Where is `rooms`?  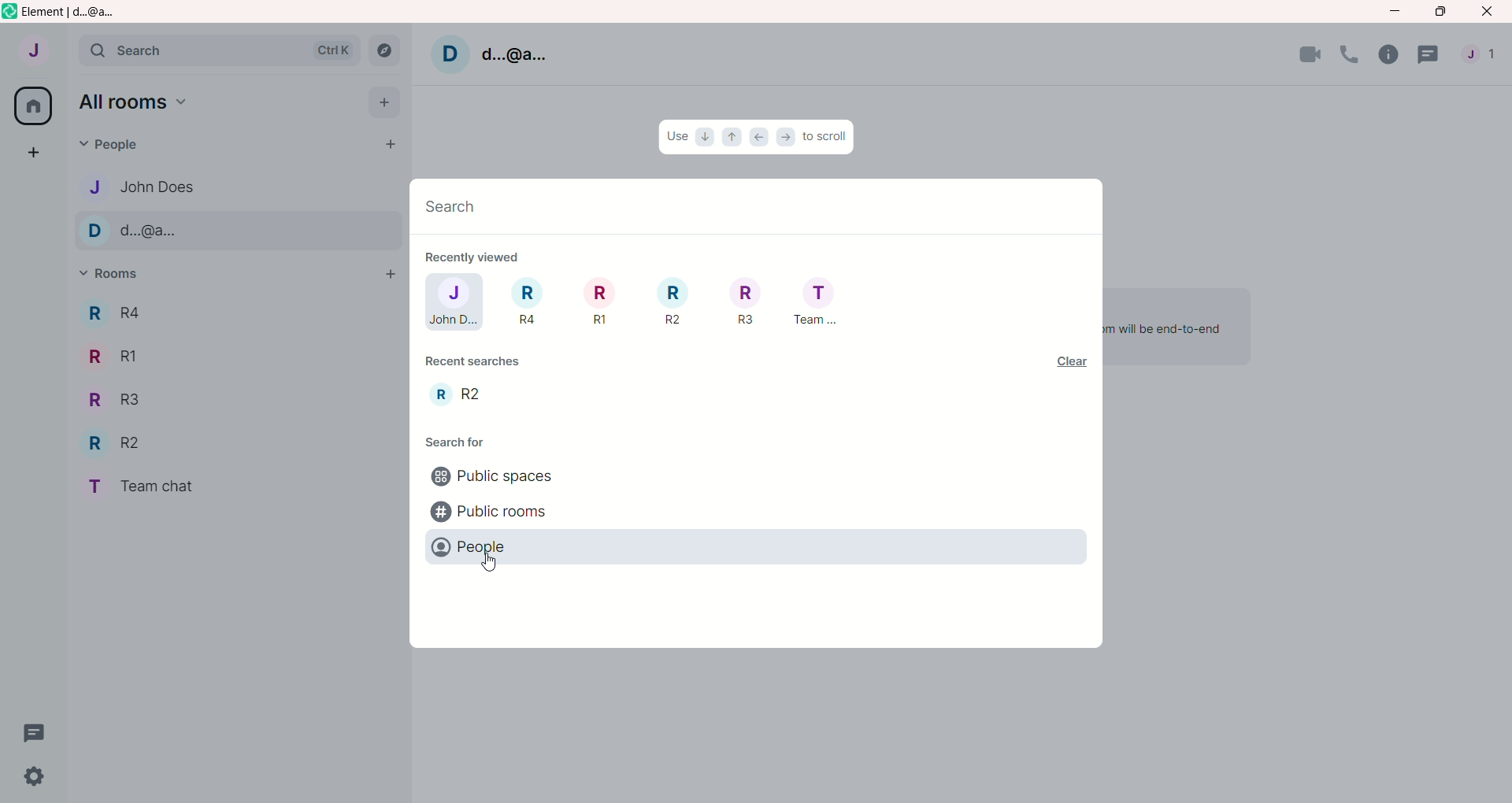 rooms is located at coordinates (115, 276).